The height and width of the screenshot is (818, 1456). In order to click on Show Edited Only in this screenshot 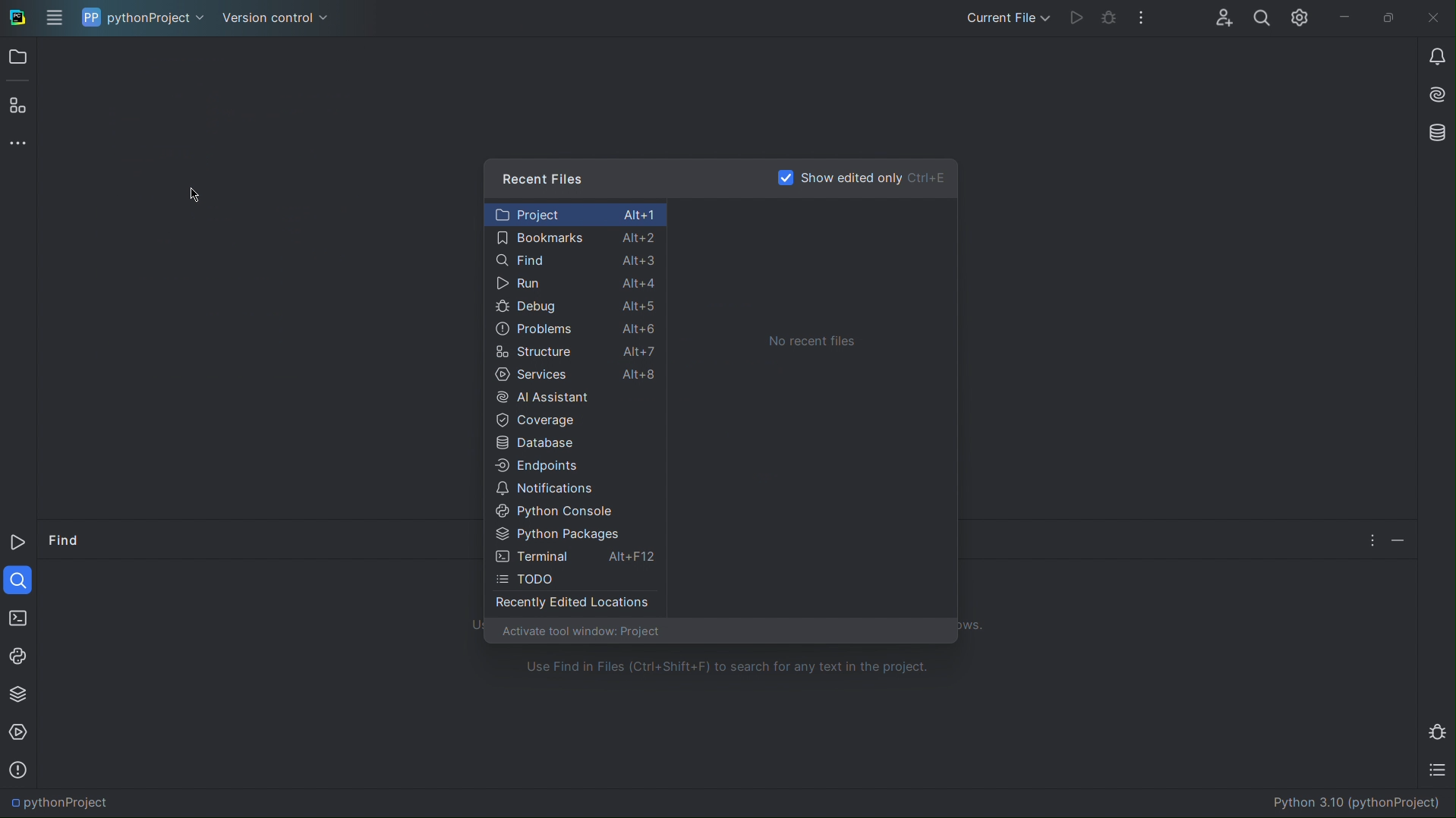, I will do `click(862, 177)`.